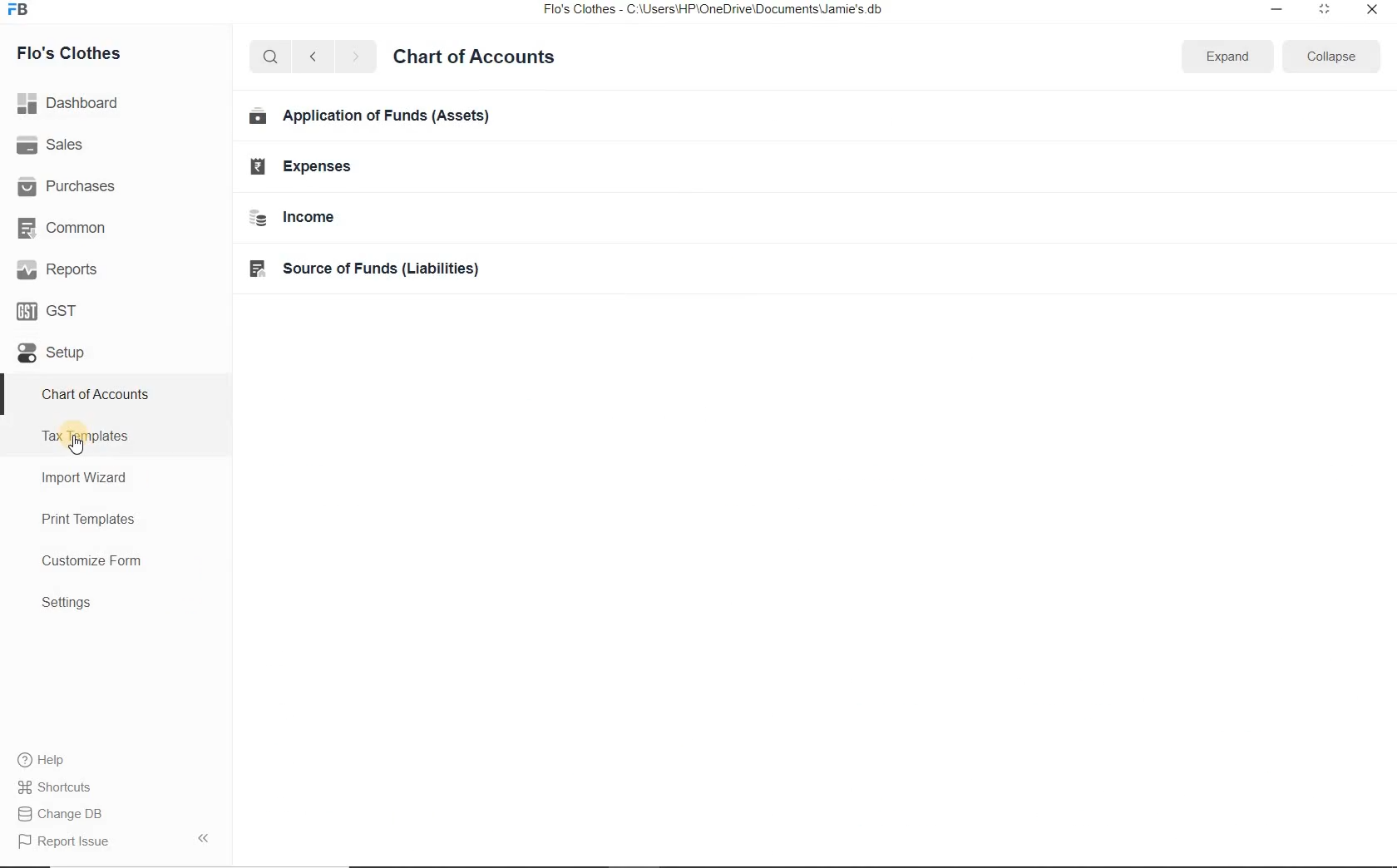 The image size is (1397, 868). Describe the element at coordinates (116, 394) in the screenshot. I see `Chart of Accounts` at that location.